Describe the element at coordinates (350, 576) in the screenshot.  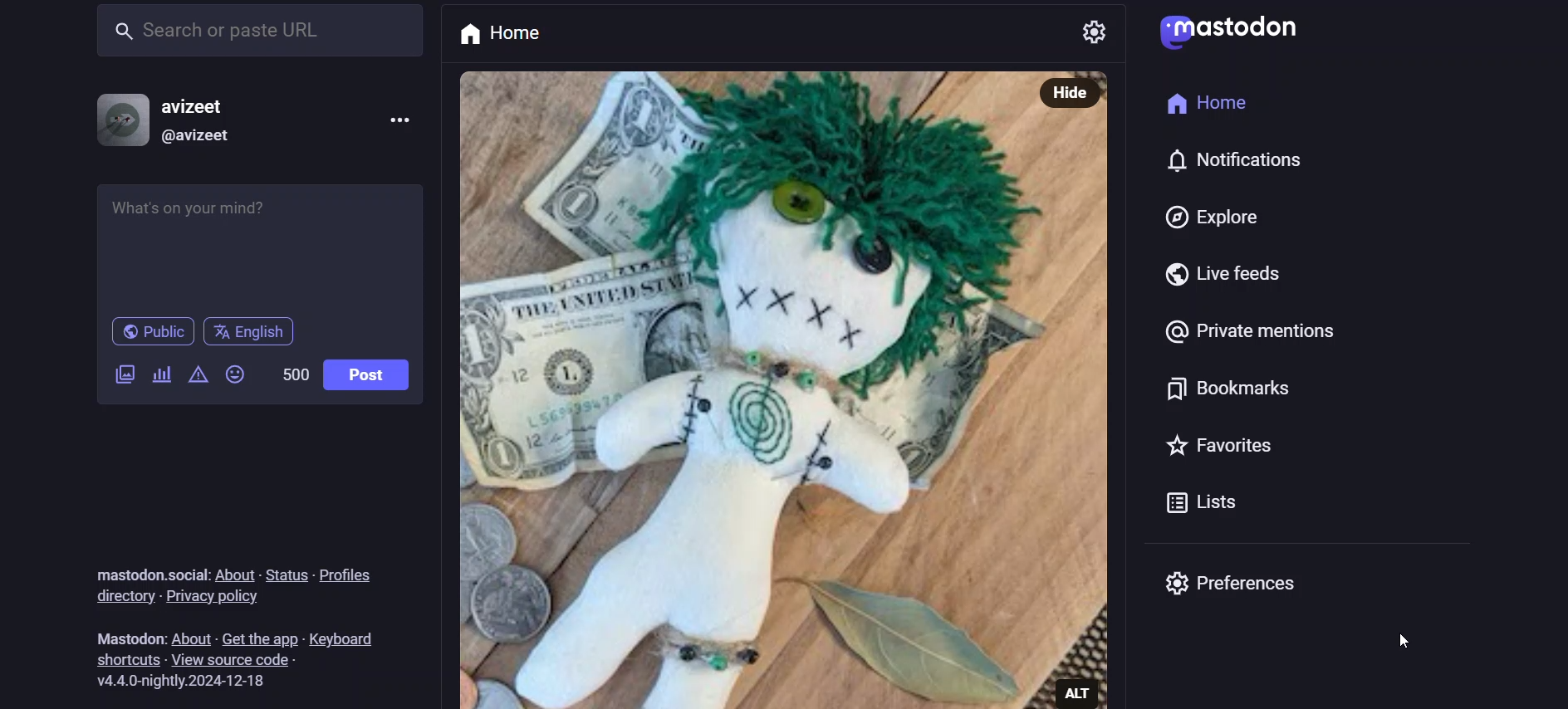
I see `profiles` at that location.